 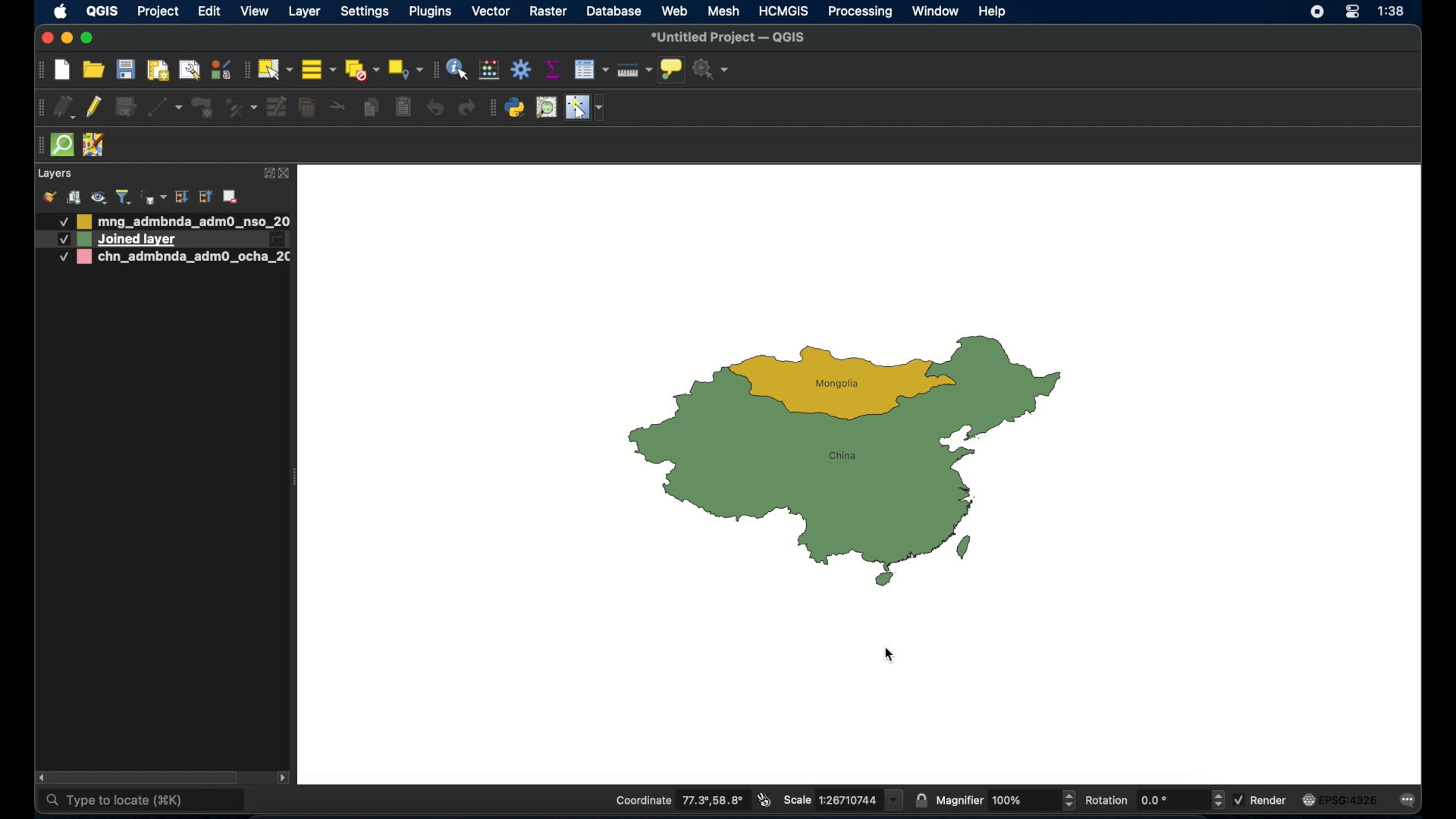 I want to click on window, so click(x=934, y=11).